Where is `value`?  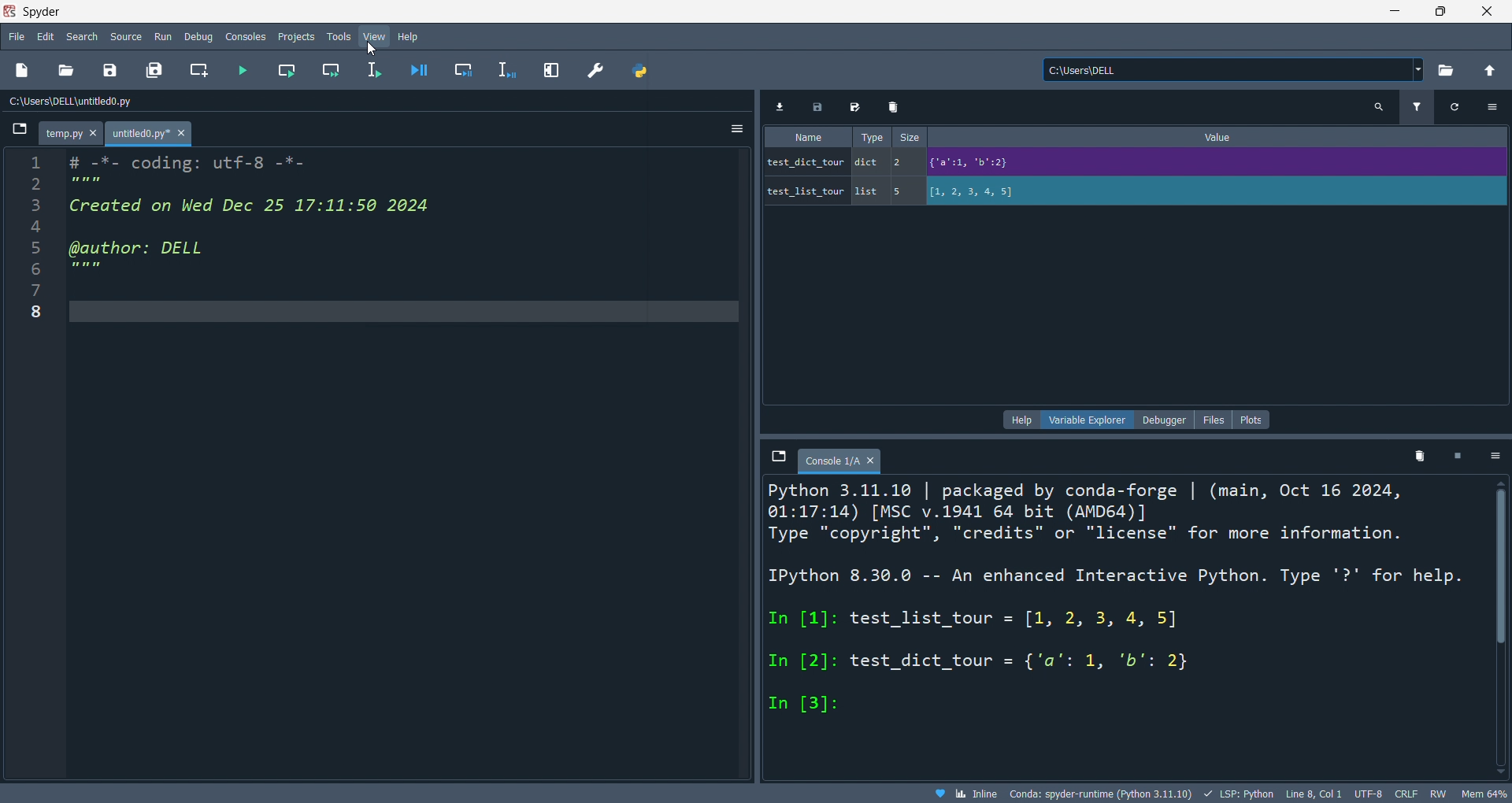 value is located at coordinates (1223, 137).